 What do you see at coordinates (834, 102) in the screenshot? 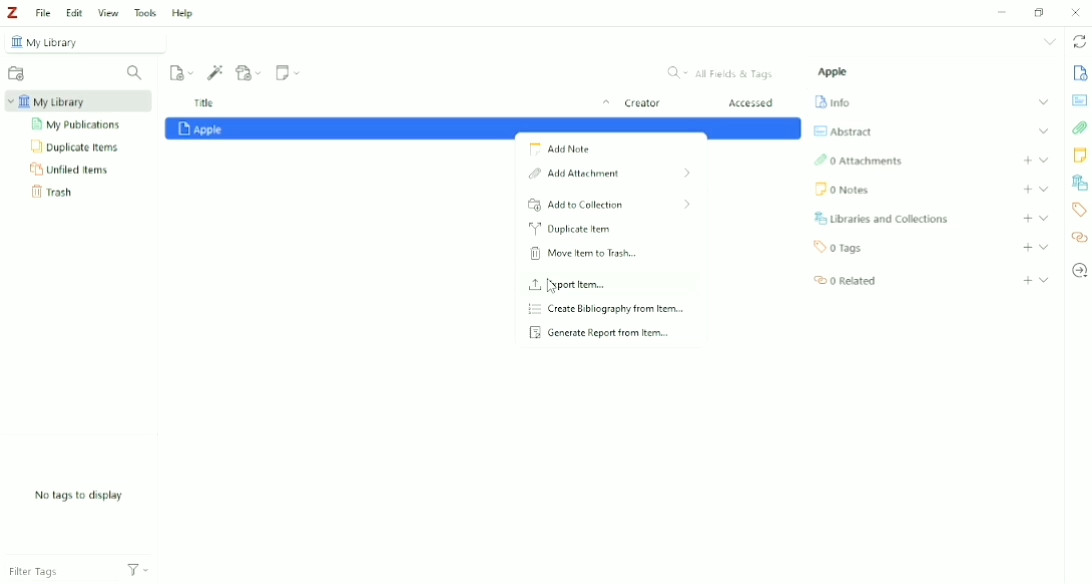
I see `Info` at bounding box center [834, 102].